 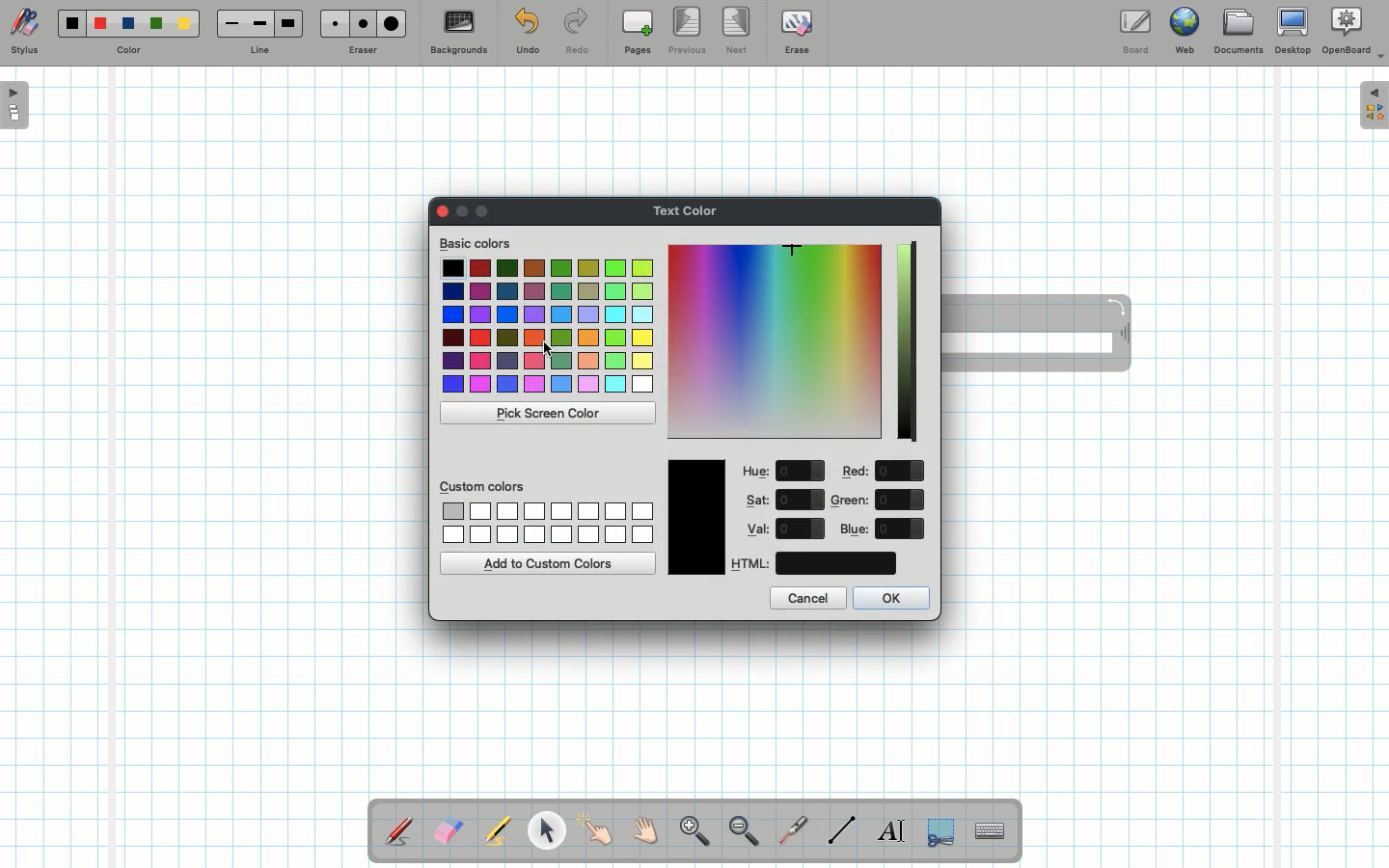 What do you see at coordinates (448, 832) in the screenshot?
I see `Eraser` at bounding box center [448, 832].